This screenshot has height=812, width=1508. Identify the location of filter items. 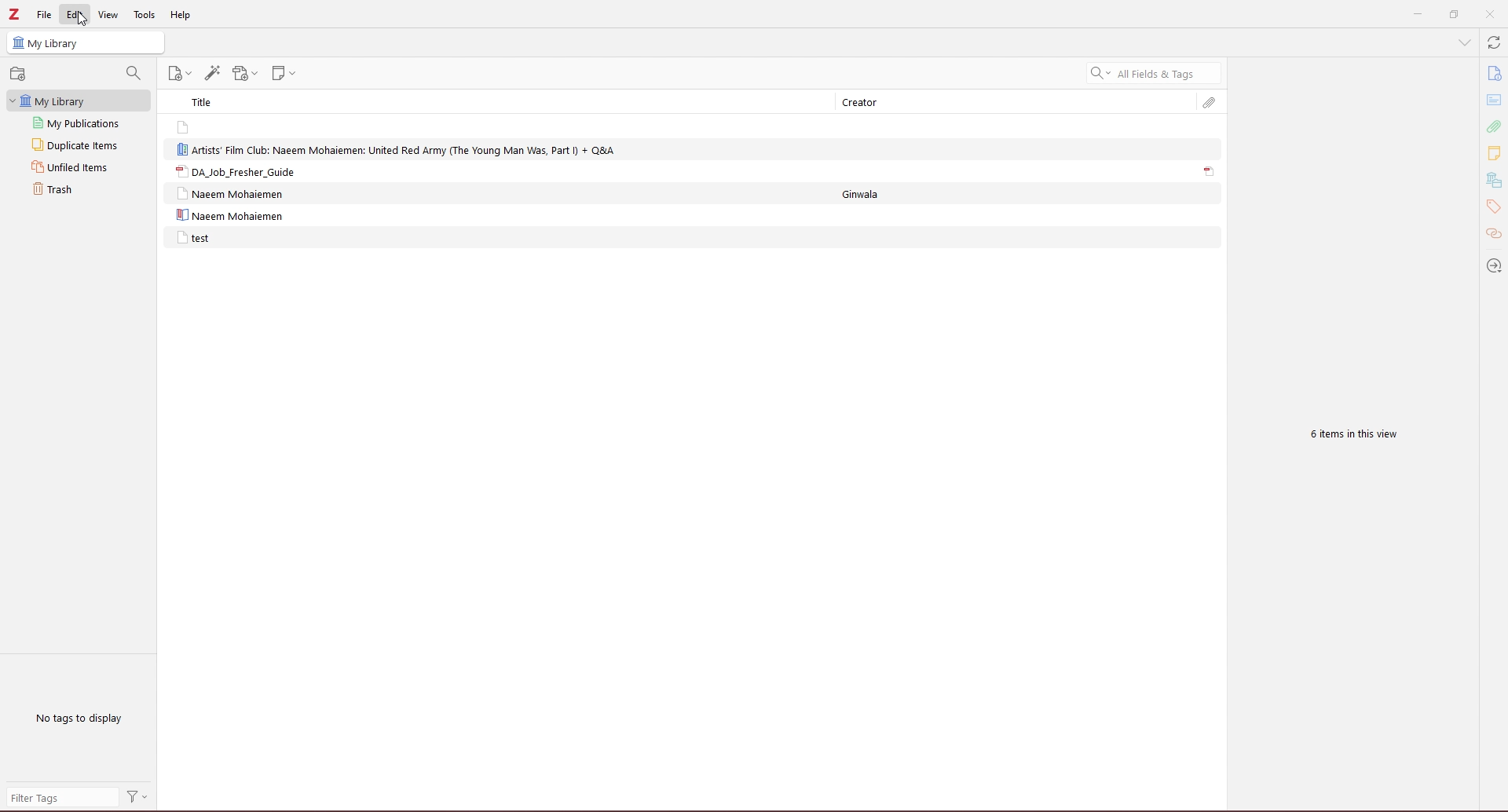
(134, 72).